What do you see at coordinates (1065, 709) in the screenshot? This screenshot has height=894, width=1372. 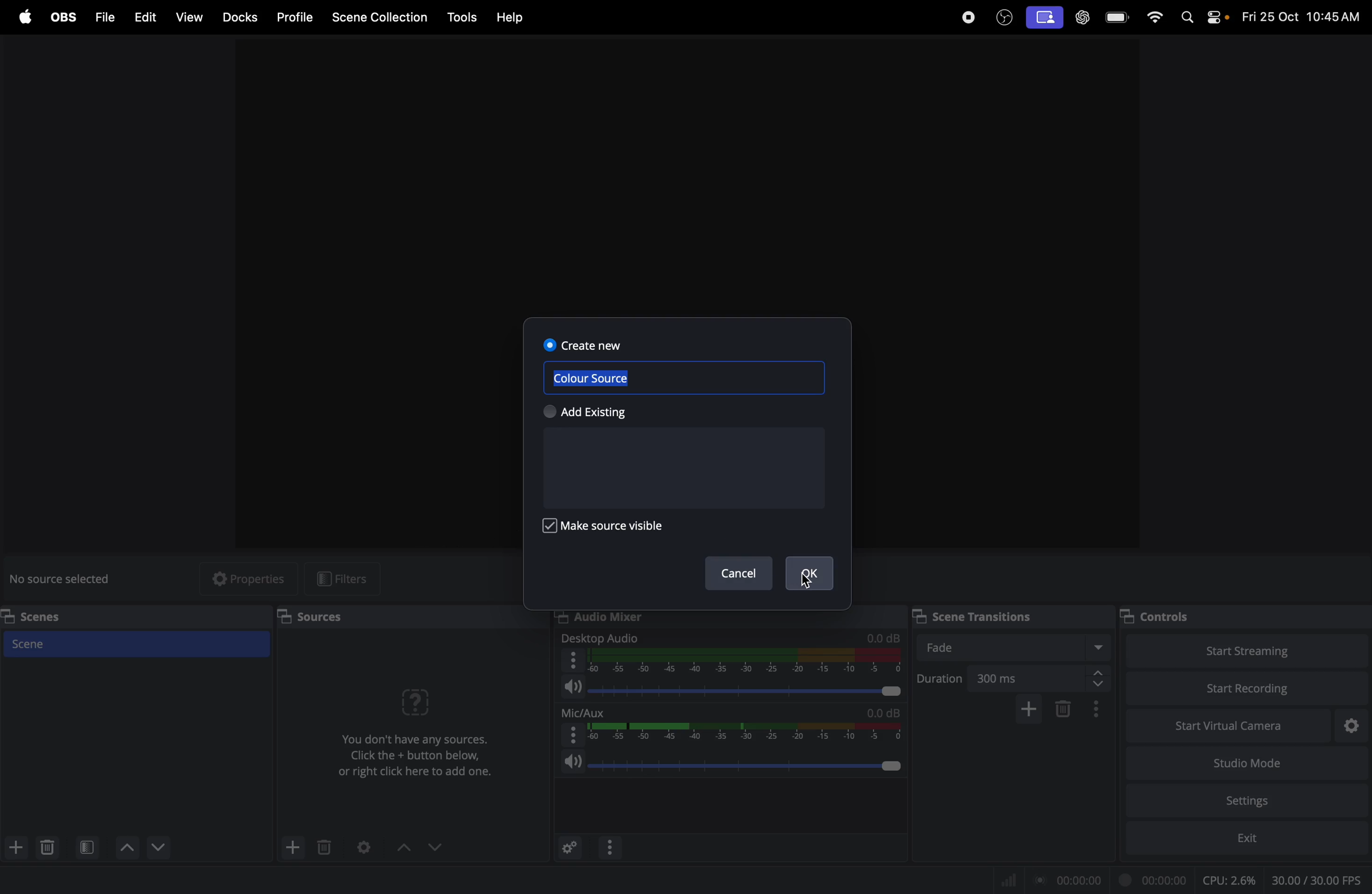 I see `remove configurable` at bounding box center [1065, 709].